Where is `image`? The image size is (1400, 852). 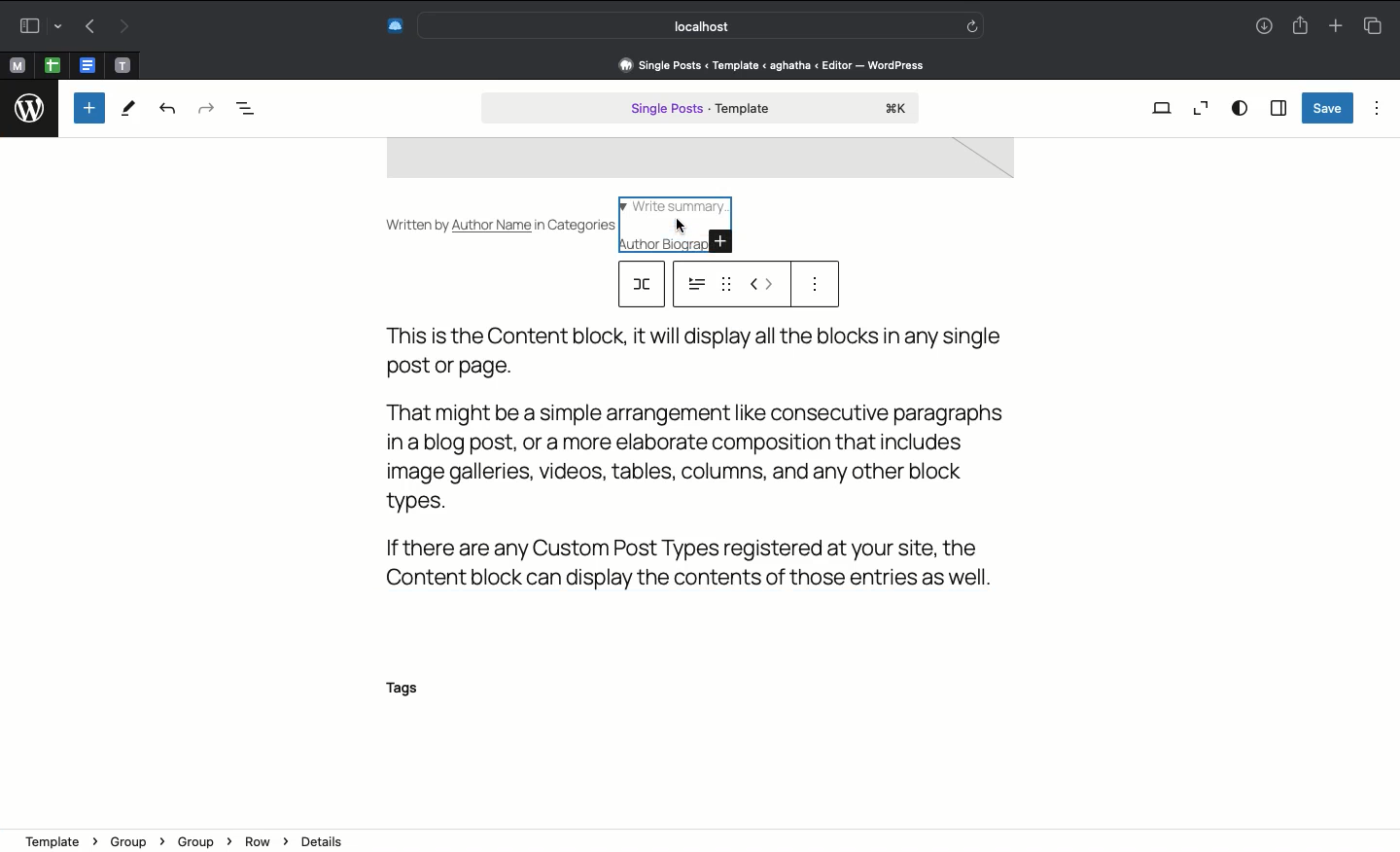 image is located at coordinates (699, 160).